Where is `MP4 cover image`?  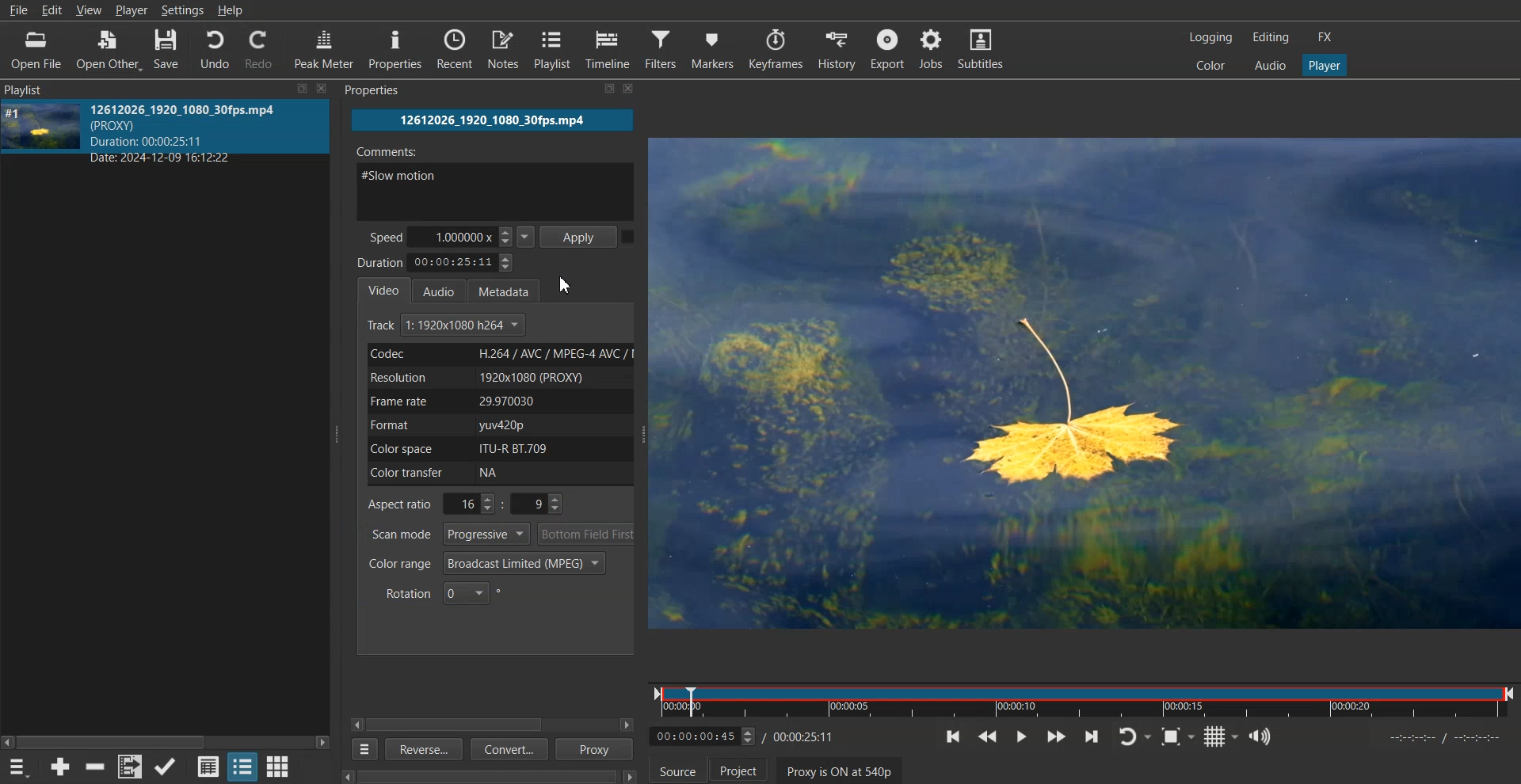 MP4 cover image is located at coordinates (42, 132).